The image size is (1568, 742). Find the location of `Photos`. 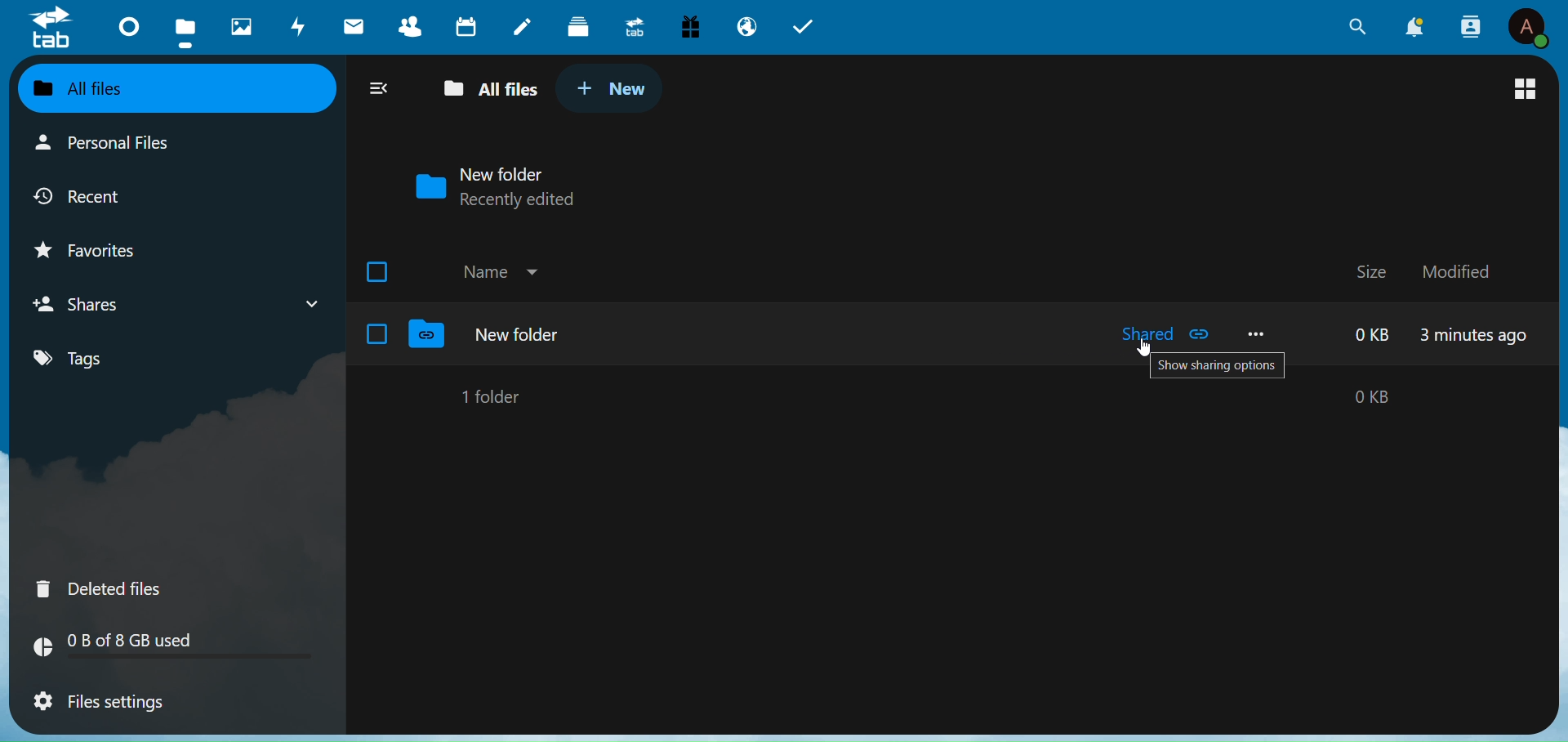

Photos is located at coordinates (236, 23).